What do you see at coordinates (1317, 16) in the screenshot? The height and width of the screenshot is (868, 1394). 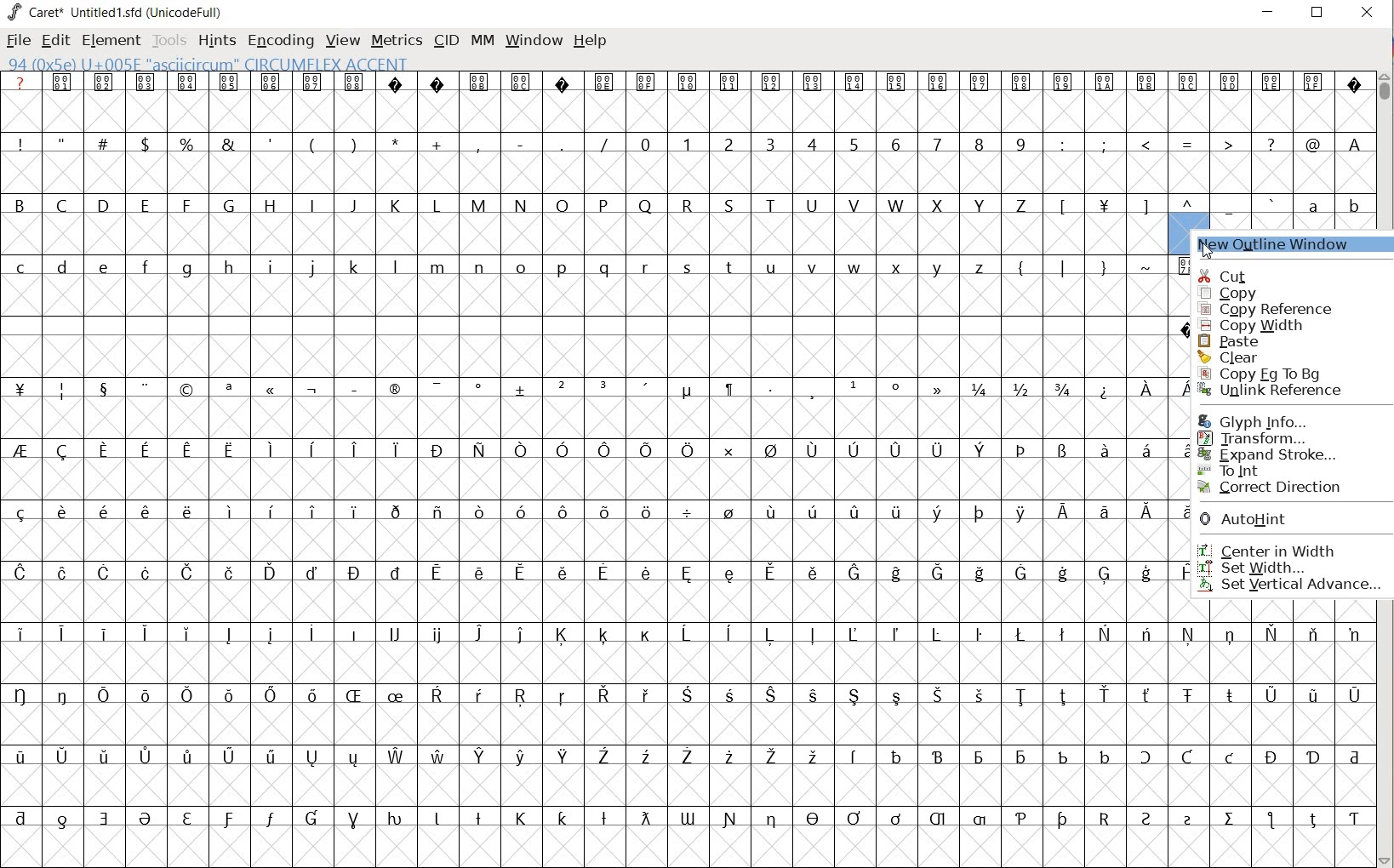 I see `RESTORE DOWN` at bounding box center [1317, 16].